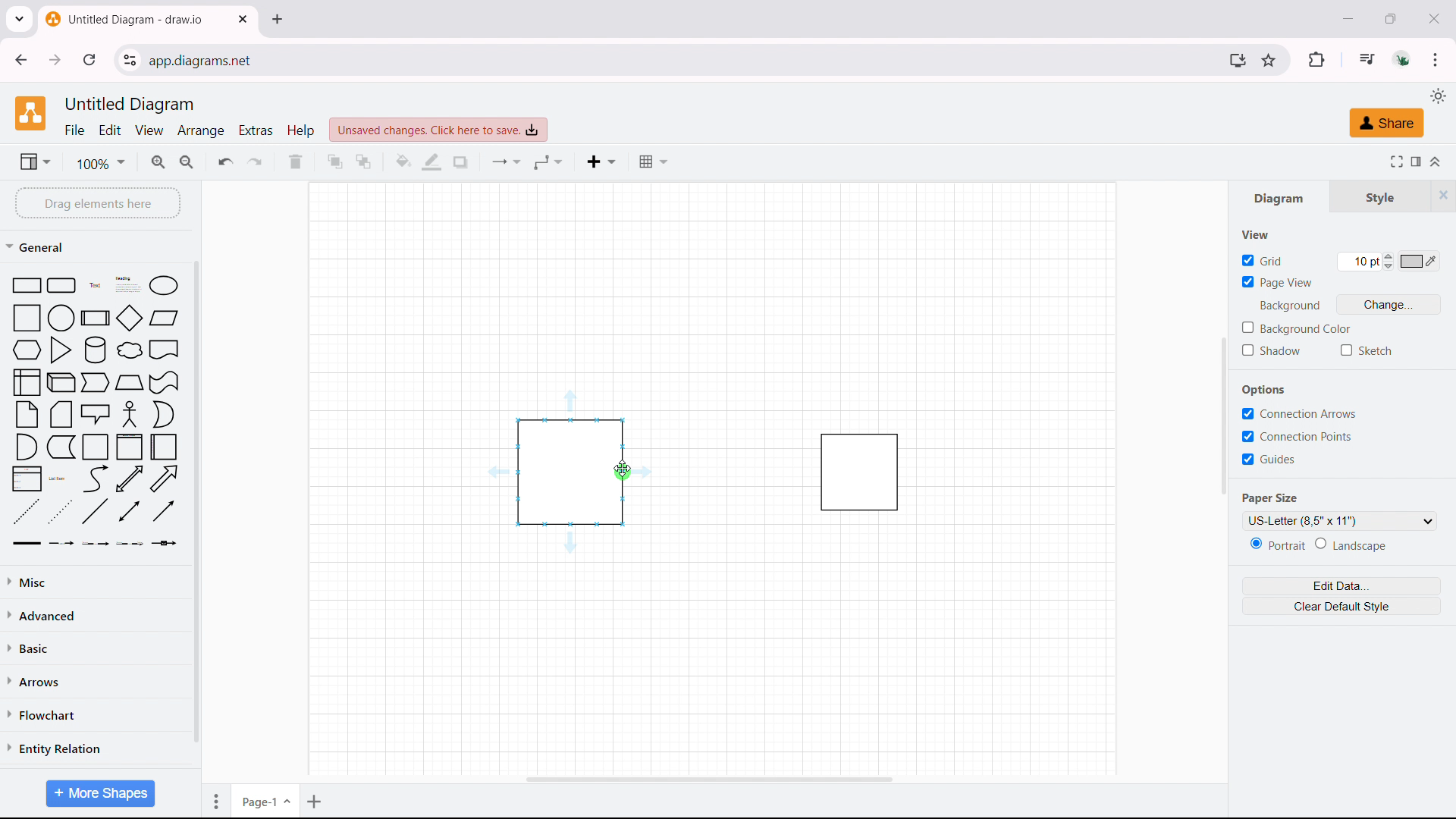 This screenshot has height=819, width=1456. I want to click on URL space, so click(683, 59).